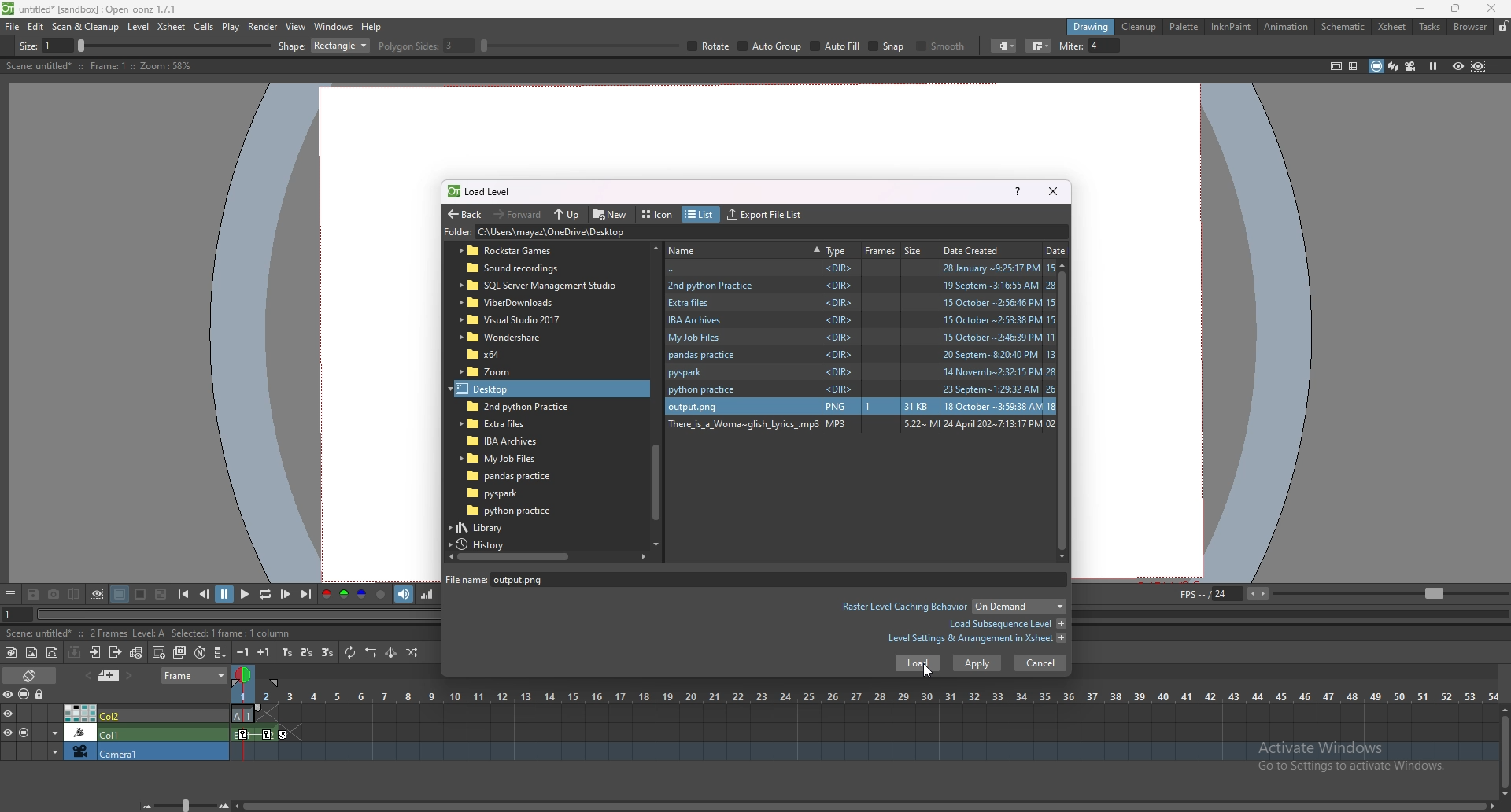  What do you see at coordinates (195, 674) in the screenshot?
I see `frame` at bounding box center [195, 674].